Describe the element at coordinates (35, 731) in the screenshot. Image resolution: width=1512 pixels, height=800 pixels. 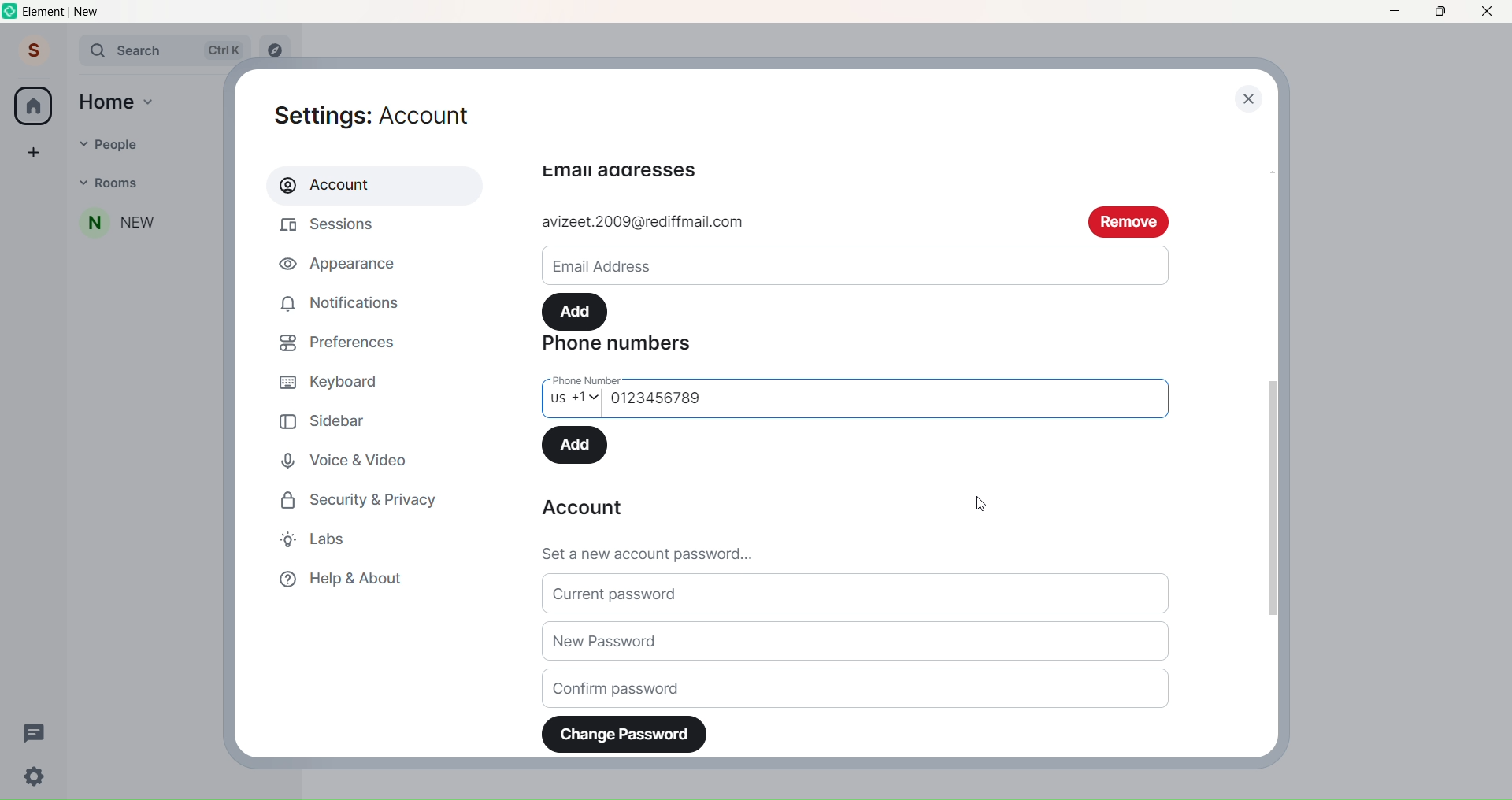
I see `Threads` at that location.